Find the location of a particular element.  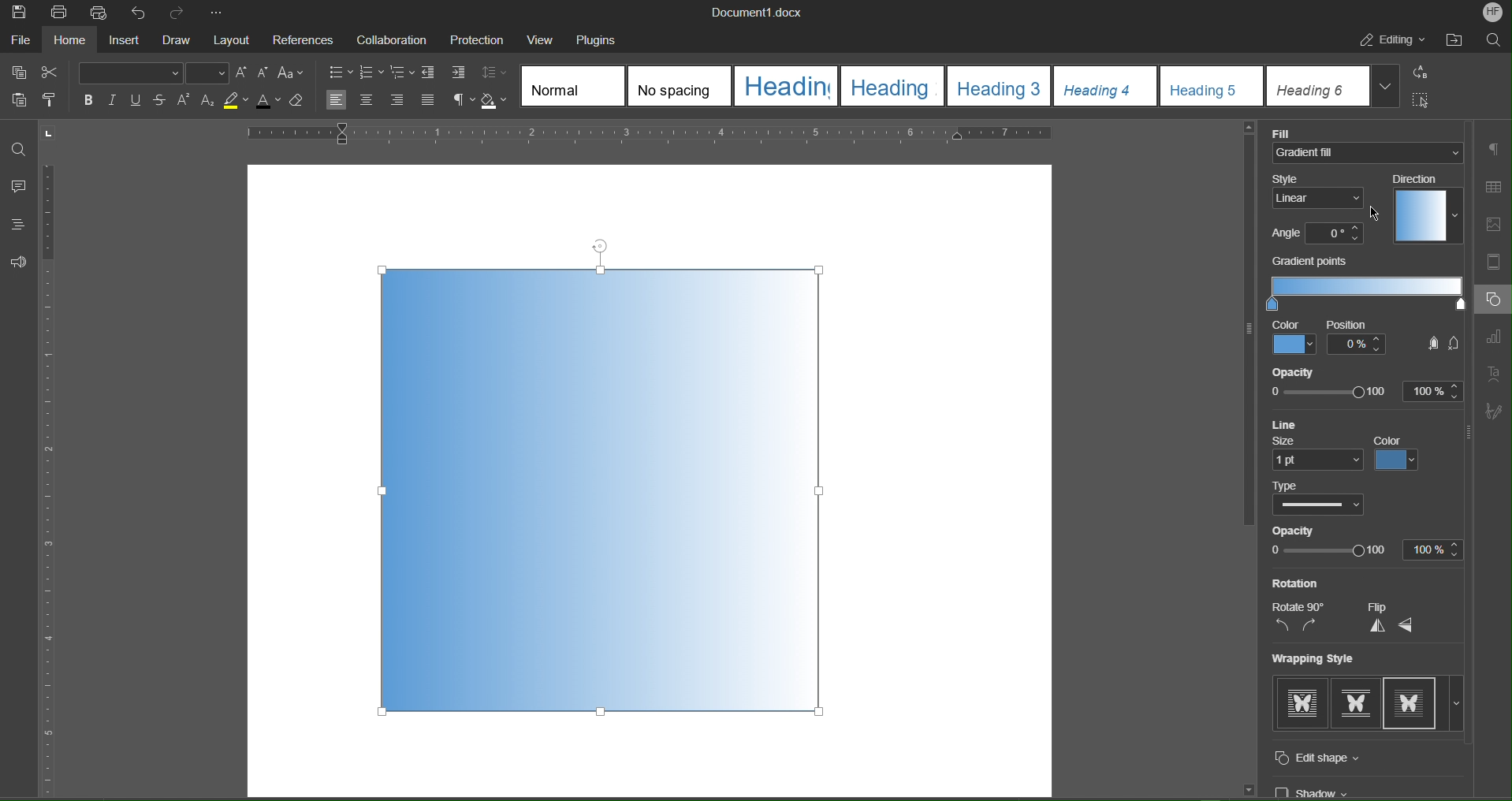

Number List is located at coordinates (373, 73).